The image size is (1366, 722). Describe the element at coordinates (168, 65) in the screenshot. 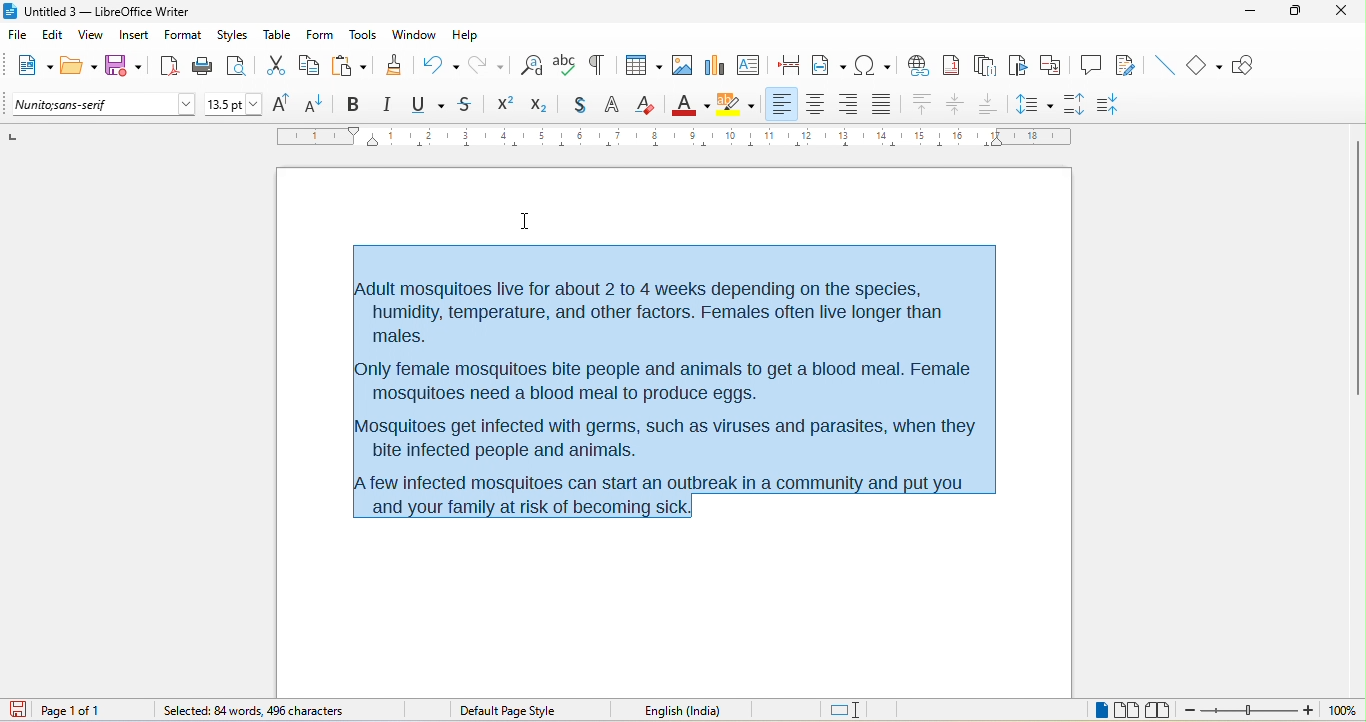

I see `export directly as pdf` at that location.